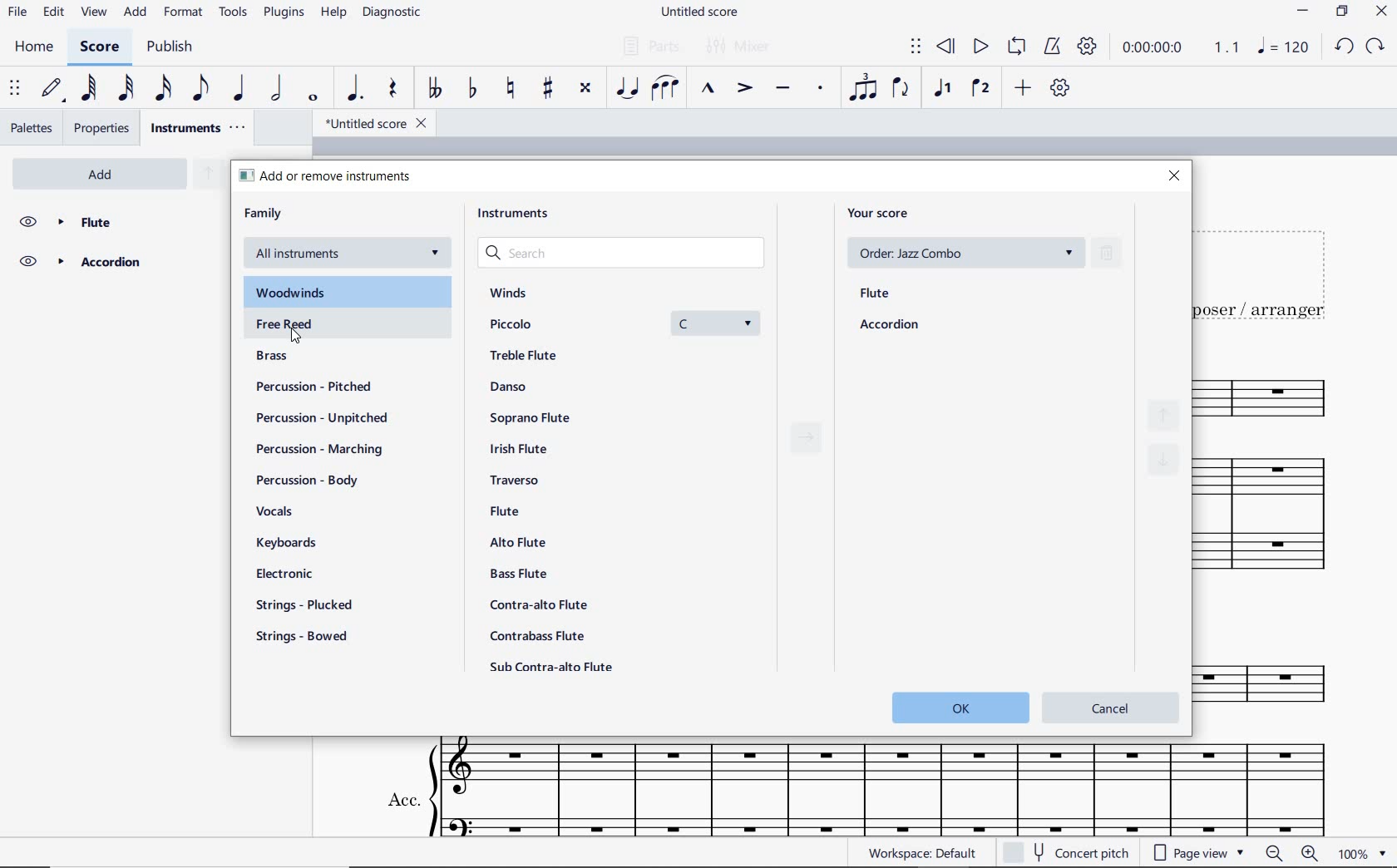 This screenshot has width=1397, height=868. What do you see at coordinates (298, 339) in the screenshot?
I see `cursor` at bounding box center [298, 339].